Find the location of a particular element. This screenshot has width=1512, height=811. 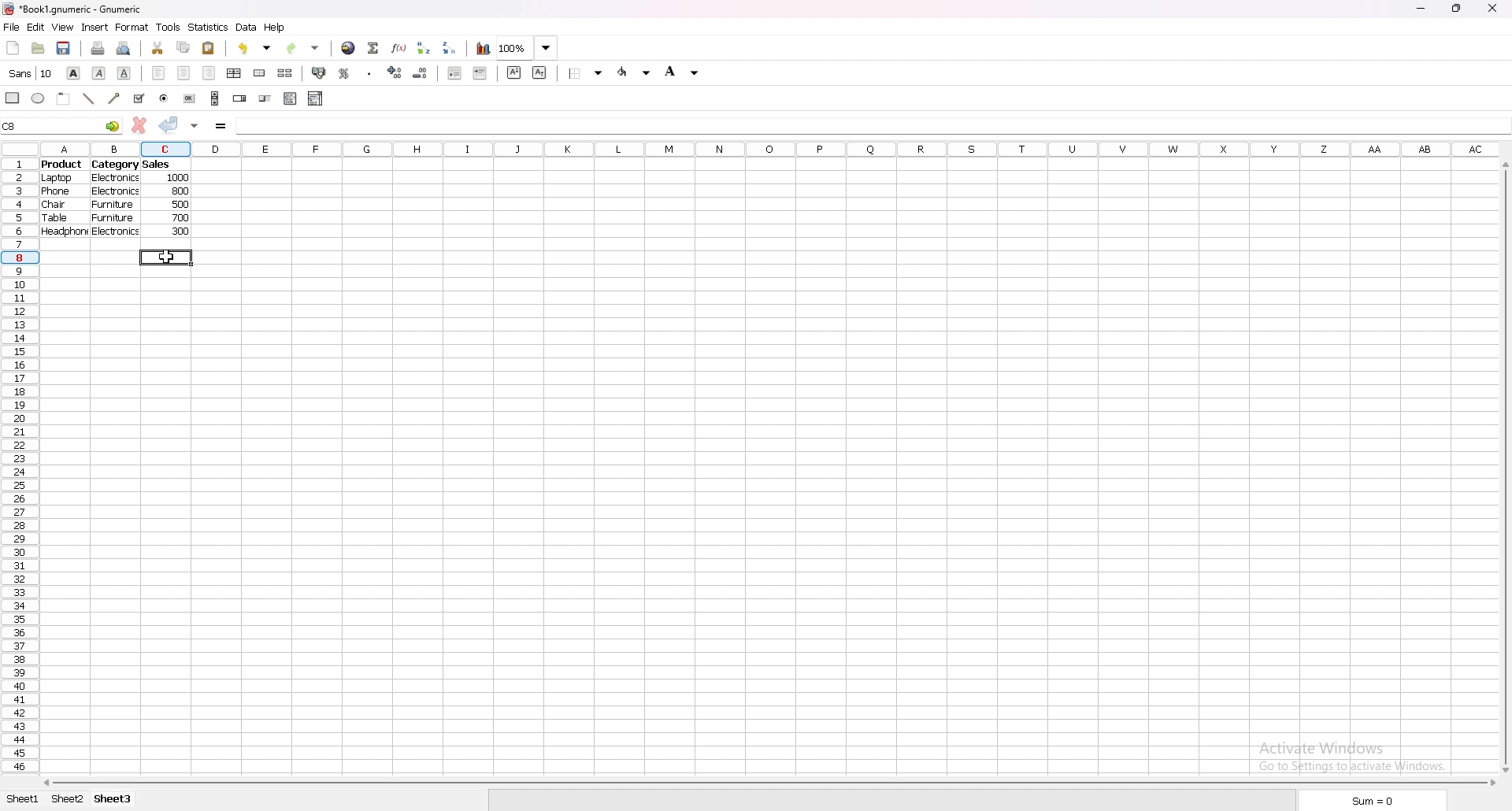

open is located at coordinates (39, 46).